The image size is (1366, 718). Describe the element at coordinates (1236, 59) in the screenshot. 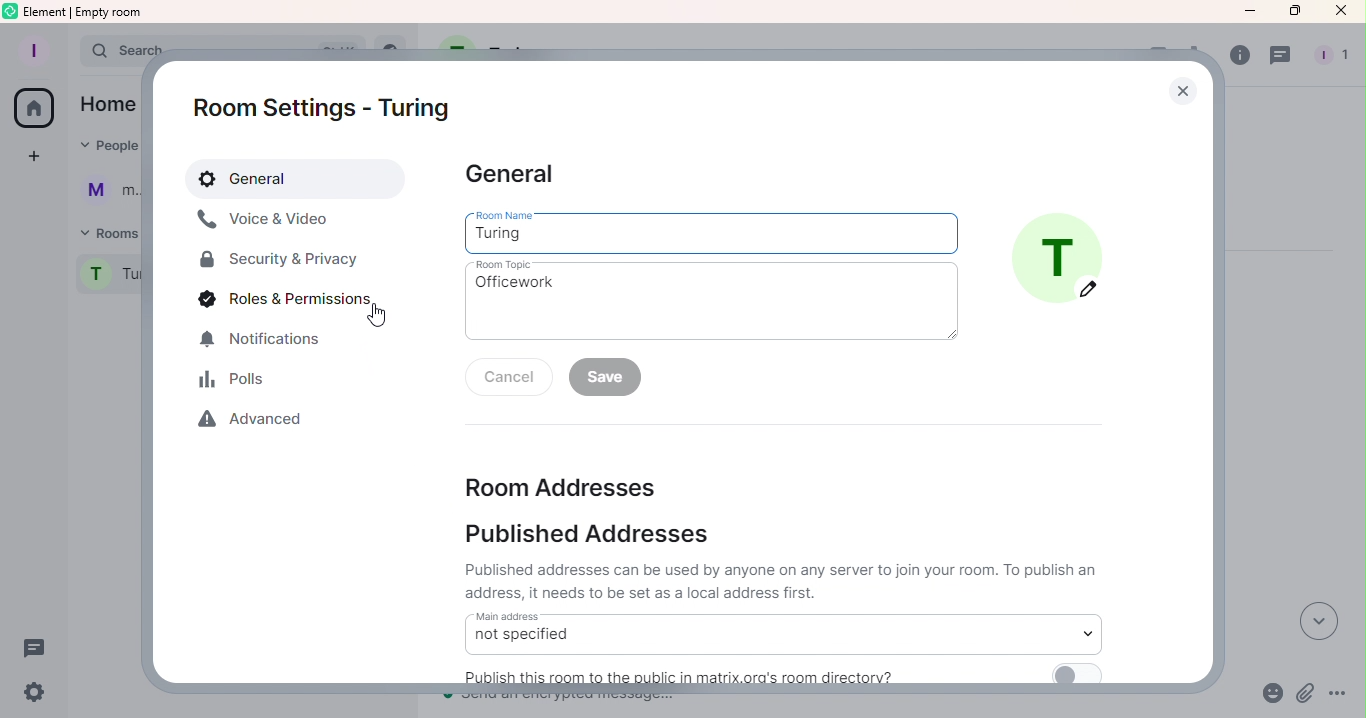

I see `Room info` at that location.